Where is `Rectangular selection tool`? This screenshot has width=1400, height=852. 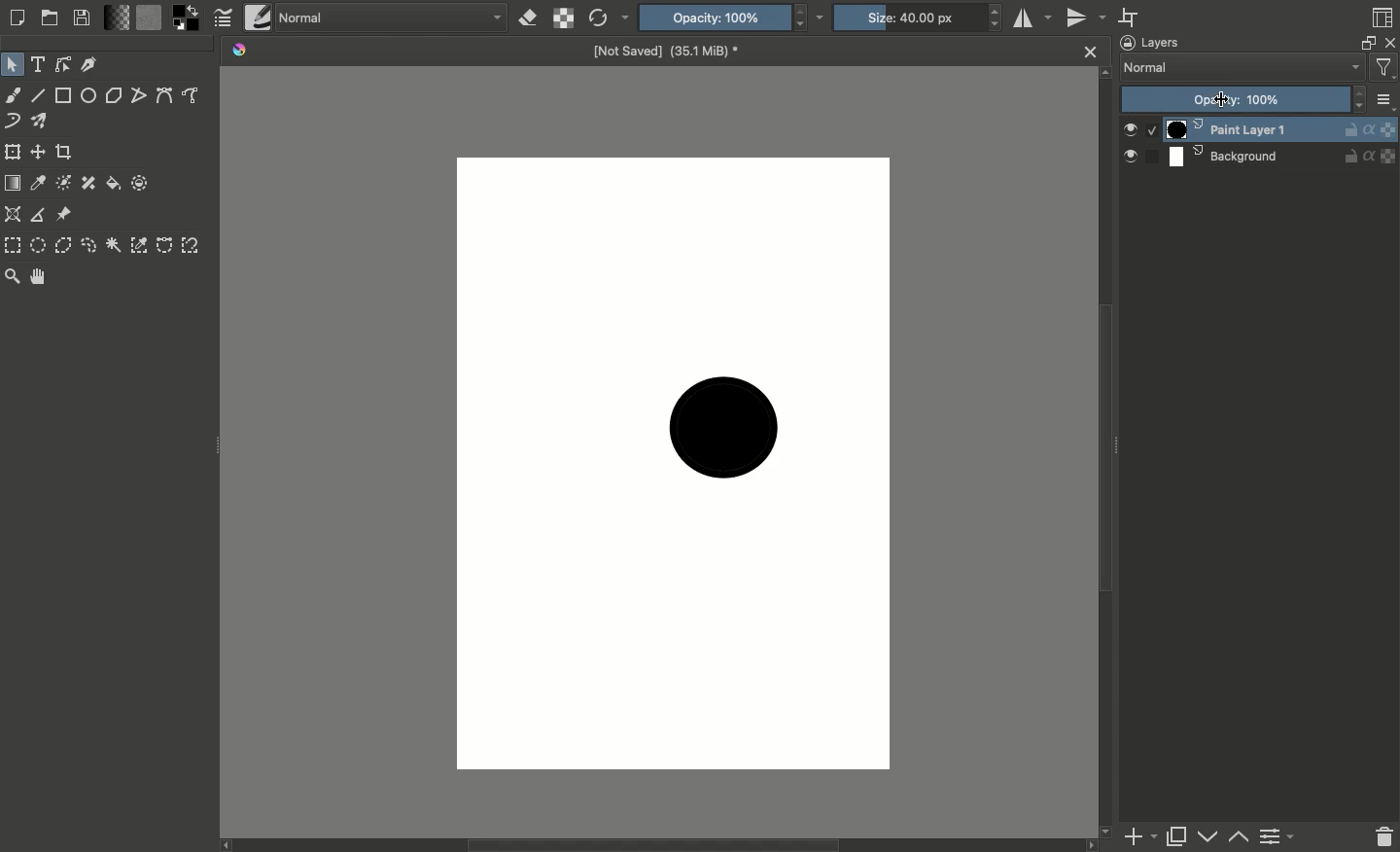
Rectangular selection tool is located at coordinates (12, 244).